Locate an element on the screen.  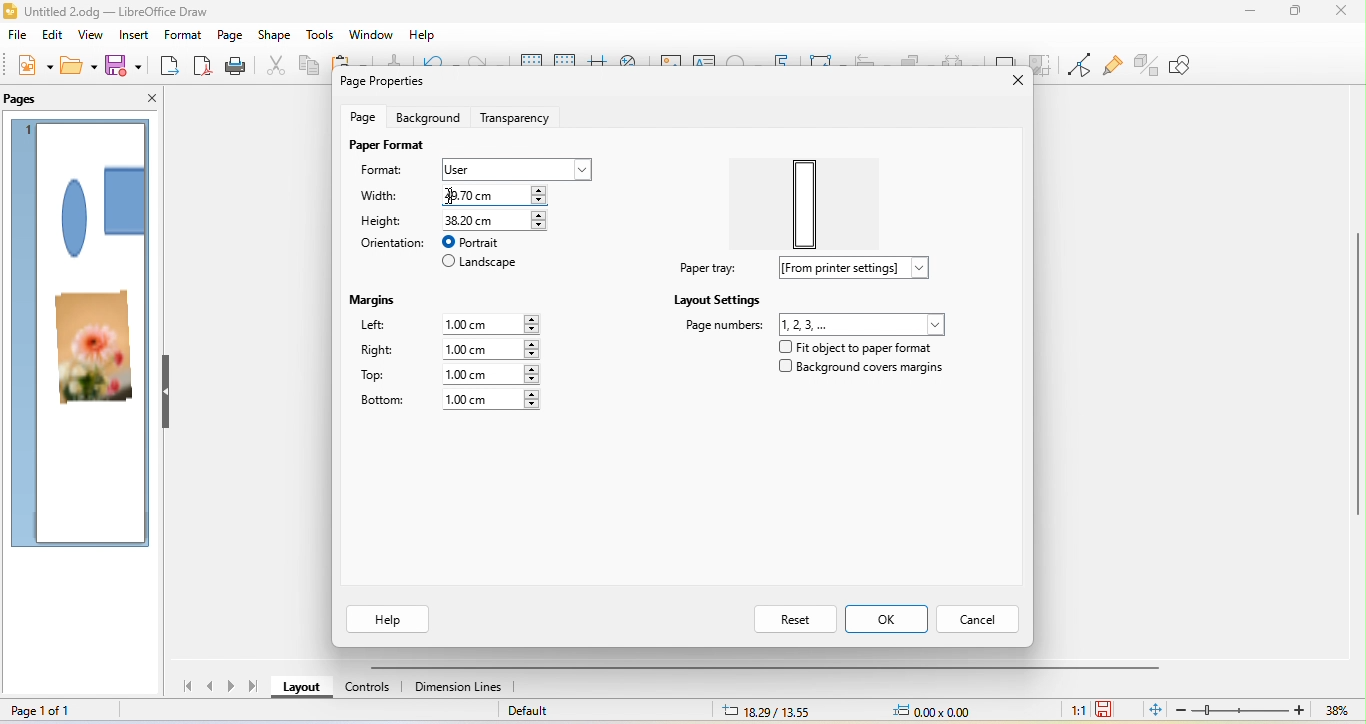
print is located at coordinates (240, 66).